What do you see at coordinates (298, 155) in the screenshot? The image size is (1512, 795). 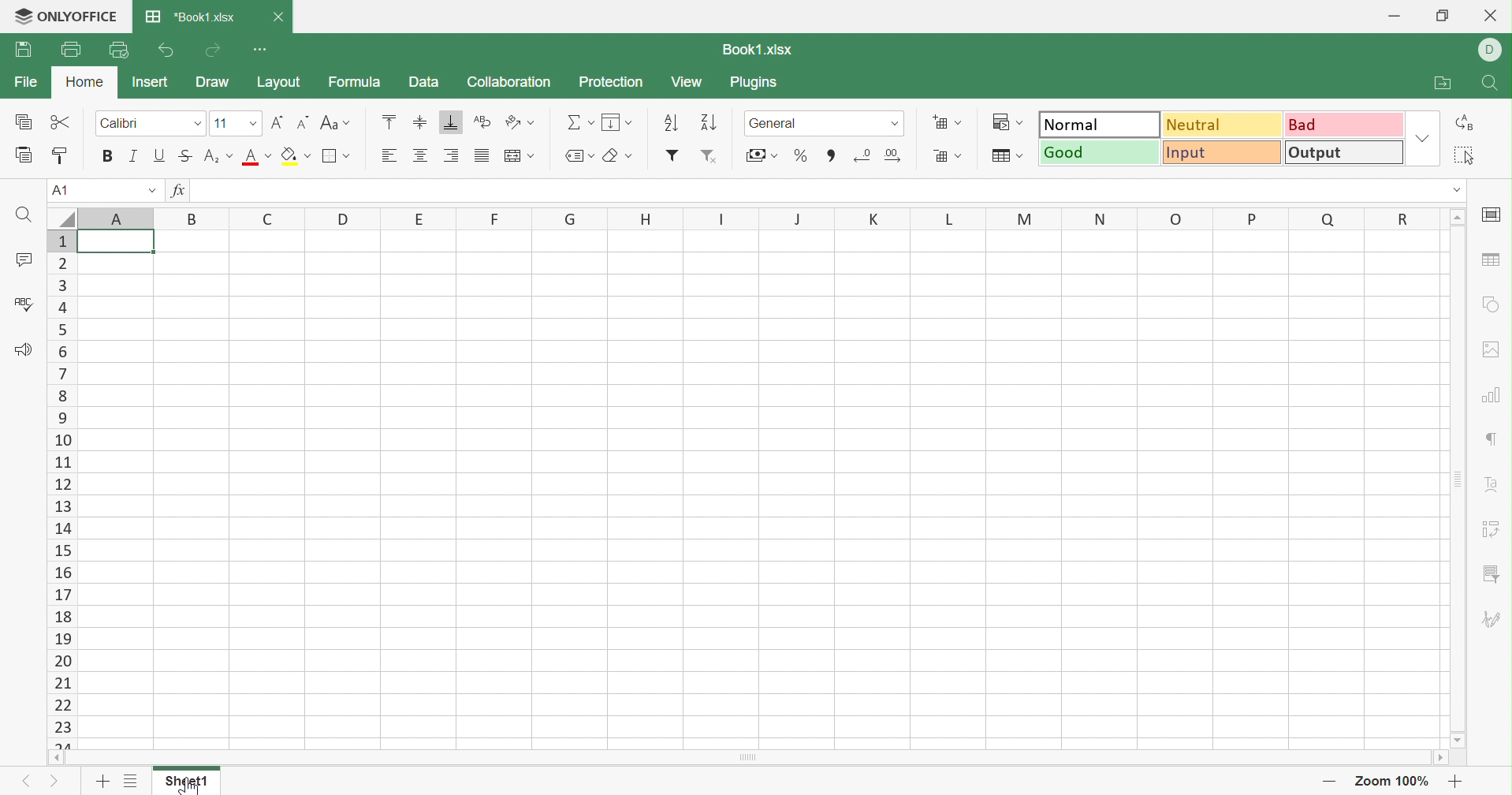 I see `Fill color` at bounding box center [298, 155].